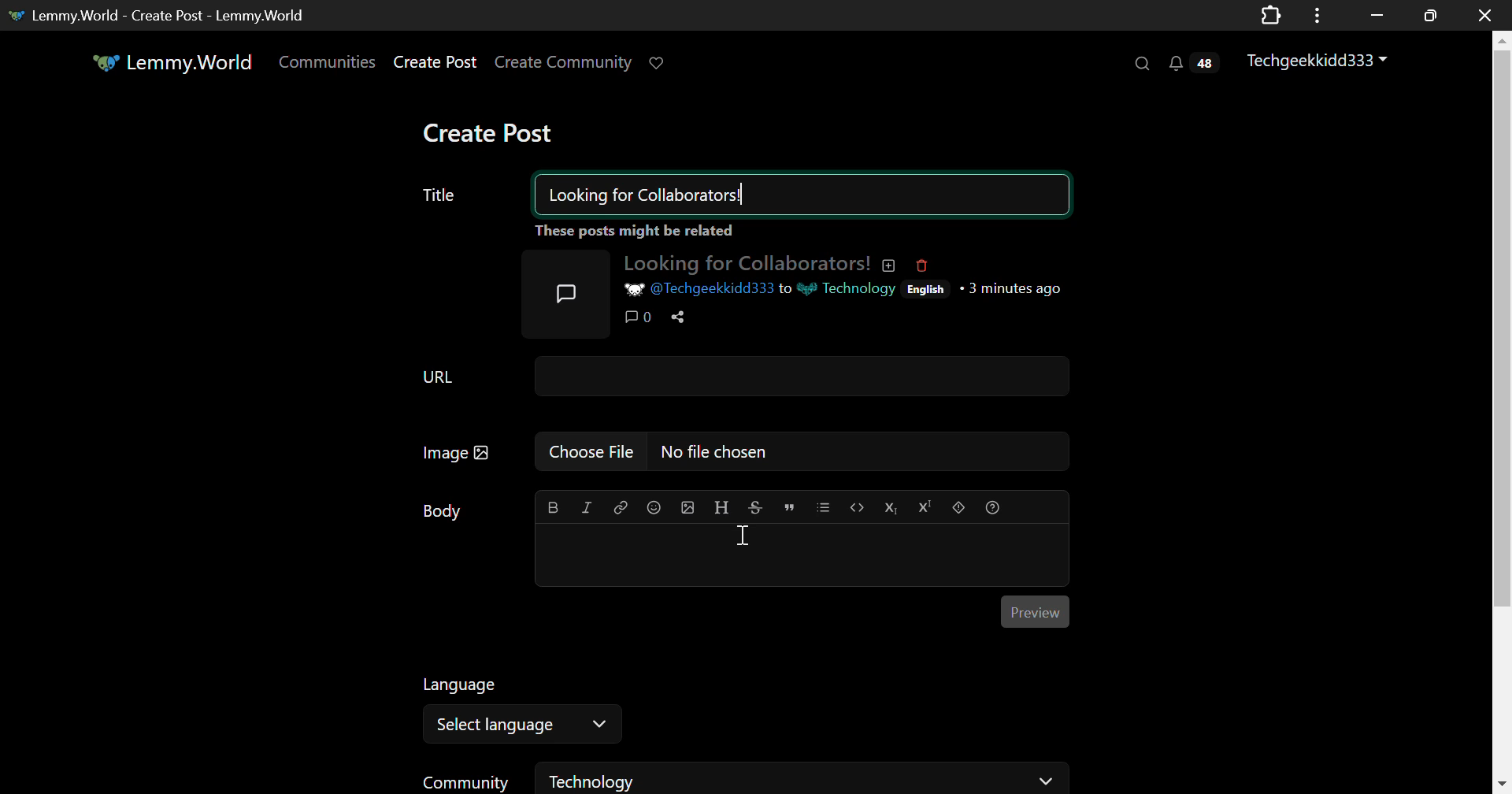 This screenshot has height=794, width=1512. What do you see at coordinates (587, 508) in the screenshot?
I see `italic` at bounding box center [587, 508].